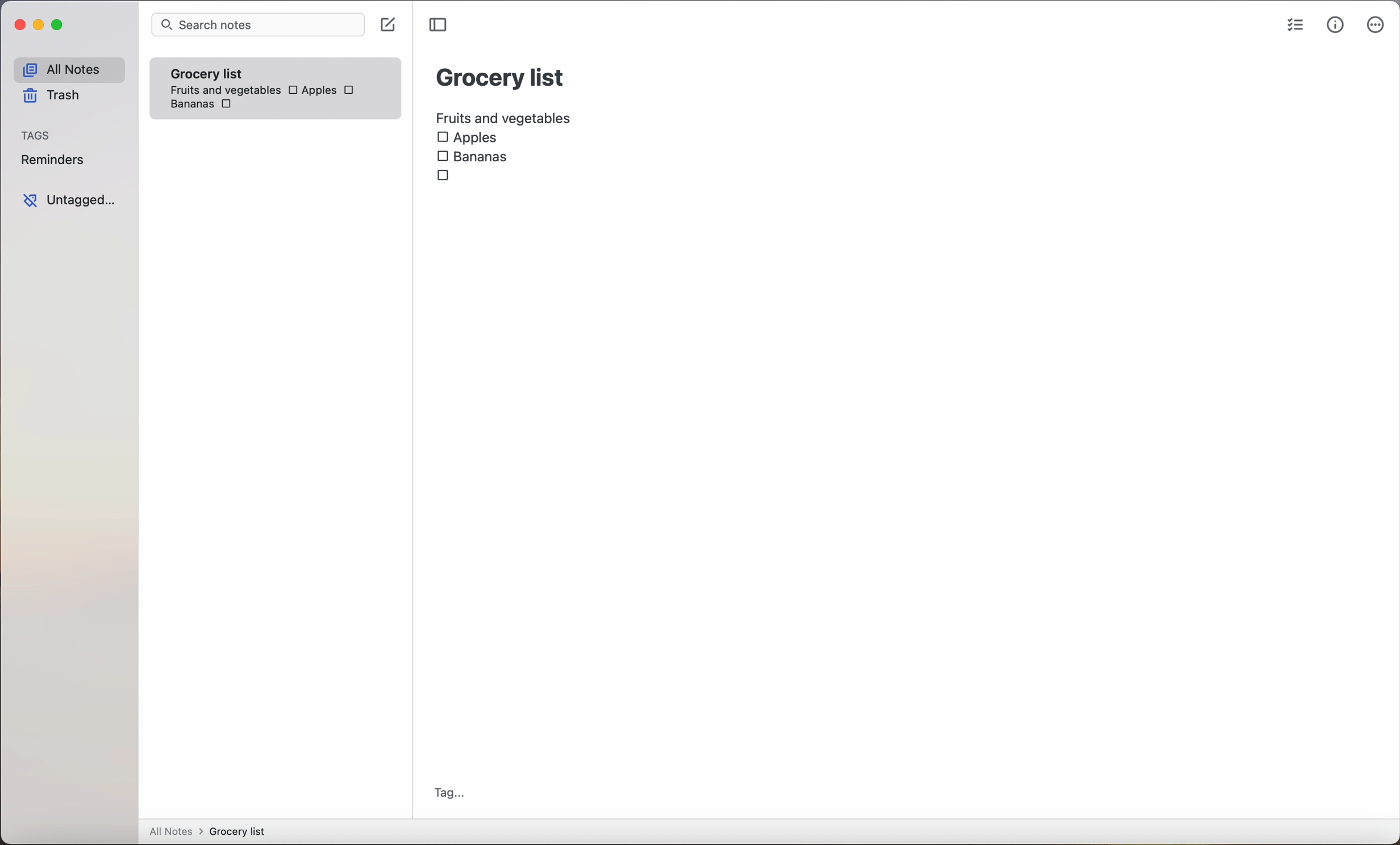 The height and width of the screenshot is (845, 1400). What do you see at coordinates (37, 136) in the screenshot?
I see `tags` at bounding box center [37, 136].